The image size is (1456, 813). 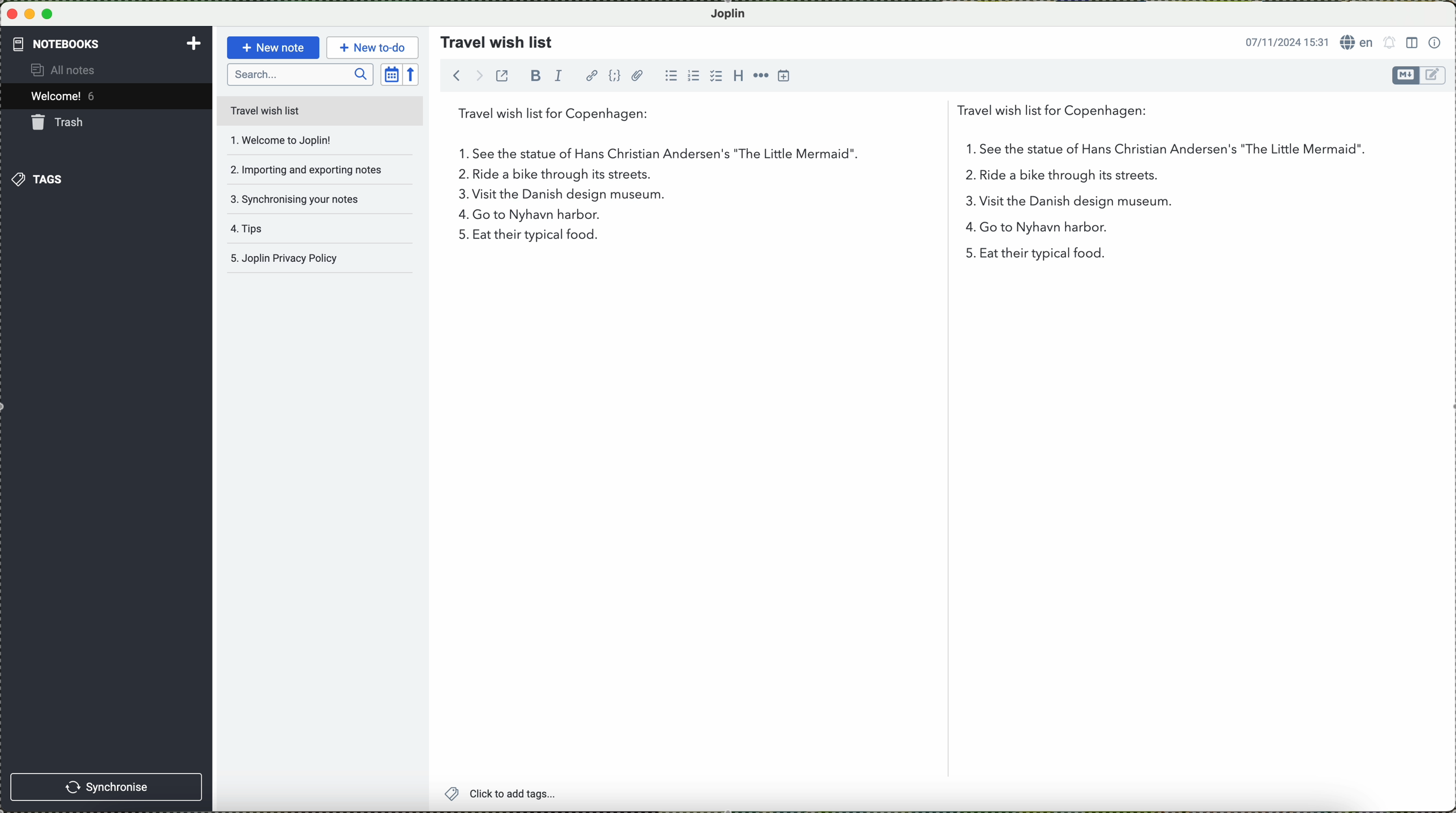 What do you see at coordinates (808, 217) in the screenshot?
I see `go to nyhavn harbor` at bounding box center [808, 217].